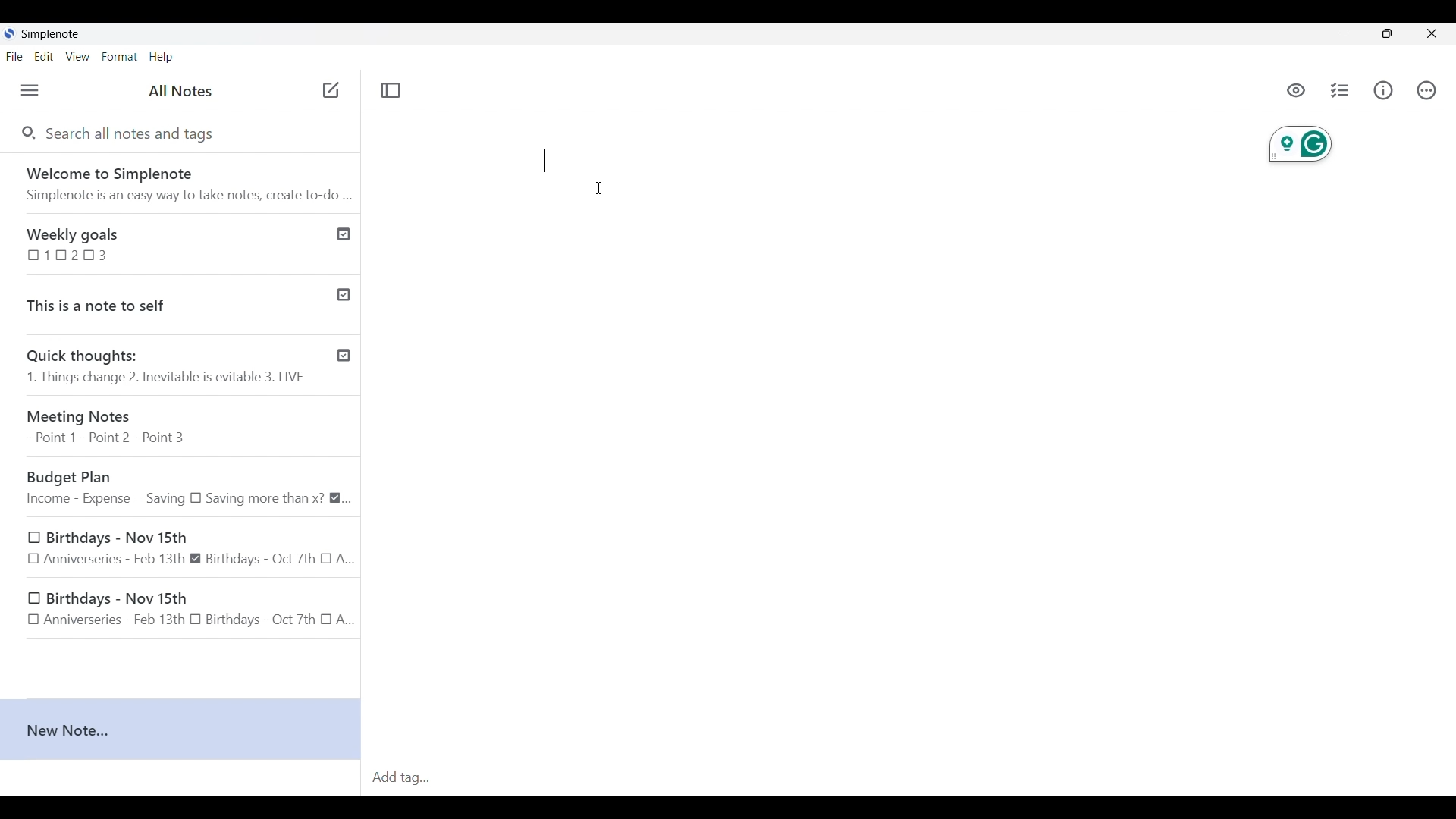 The width and height of the screenshot is (1456, 819). What do you see at coordinates (599, 188) in the screenshot?
I see `Cursor clicking on writing space` at bounding box center [599, 188].